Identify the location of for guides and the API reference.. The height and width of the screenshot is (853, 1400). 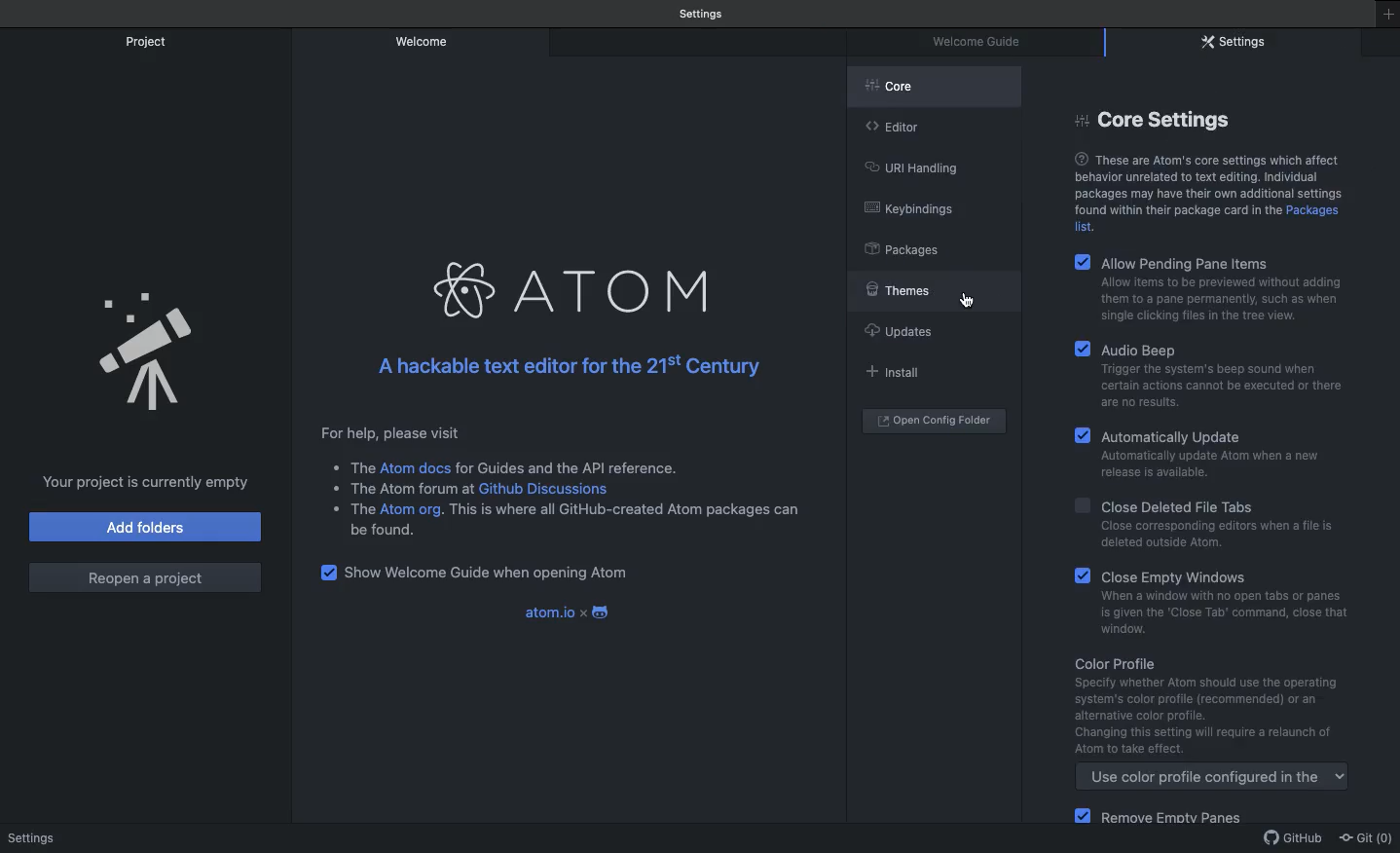
(568, 464).